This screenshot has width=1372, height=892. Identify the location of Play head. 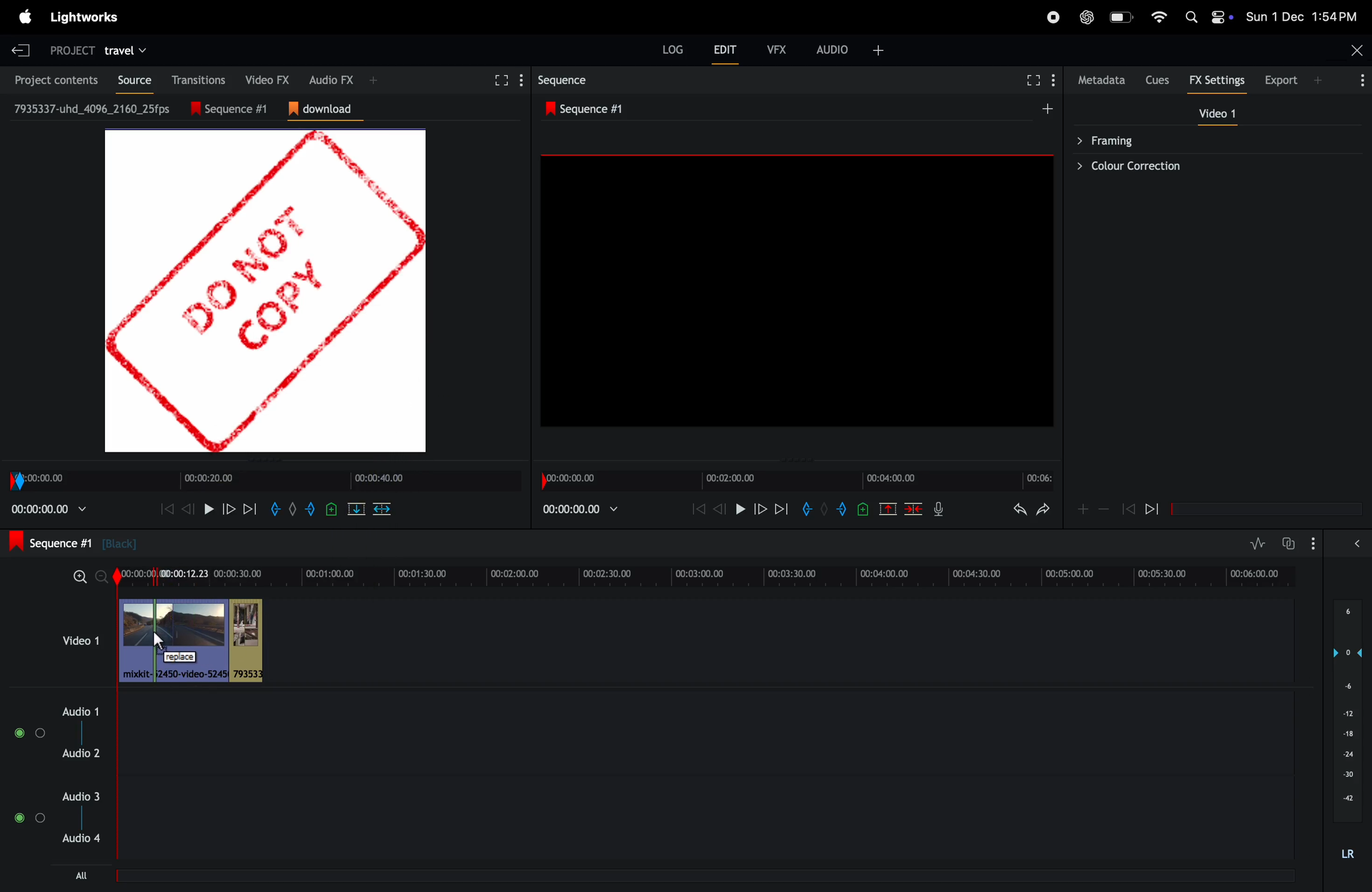
(117, 712).